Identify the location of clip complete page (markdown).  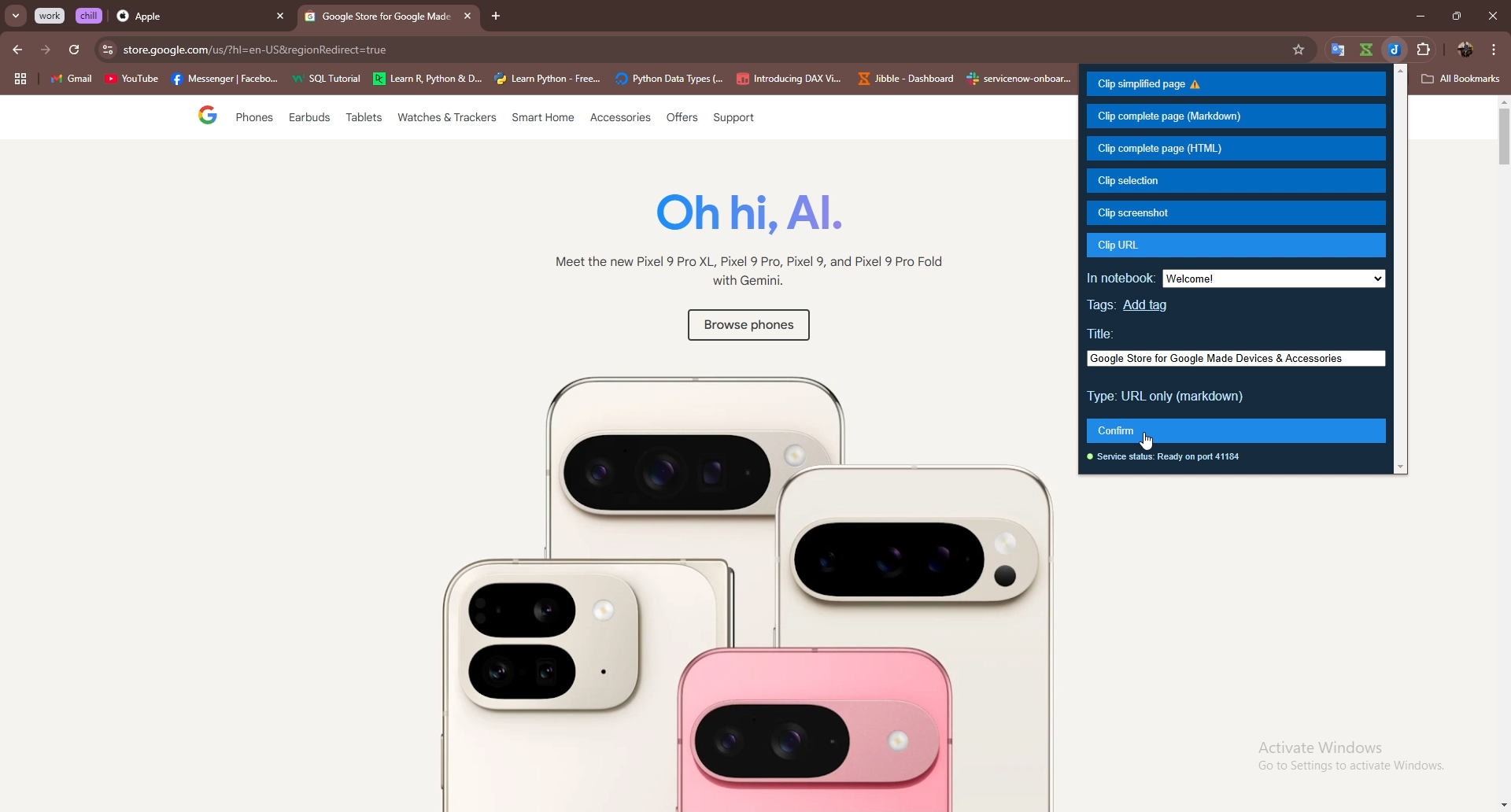
(1236, 117).